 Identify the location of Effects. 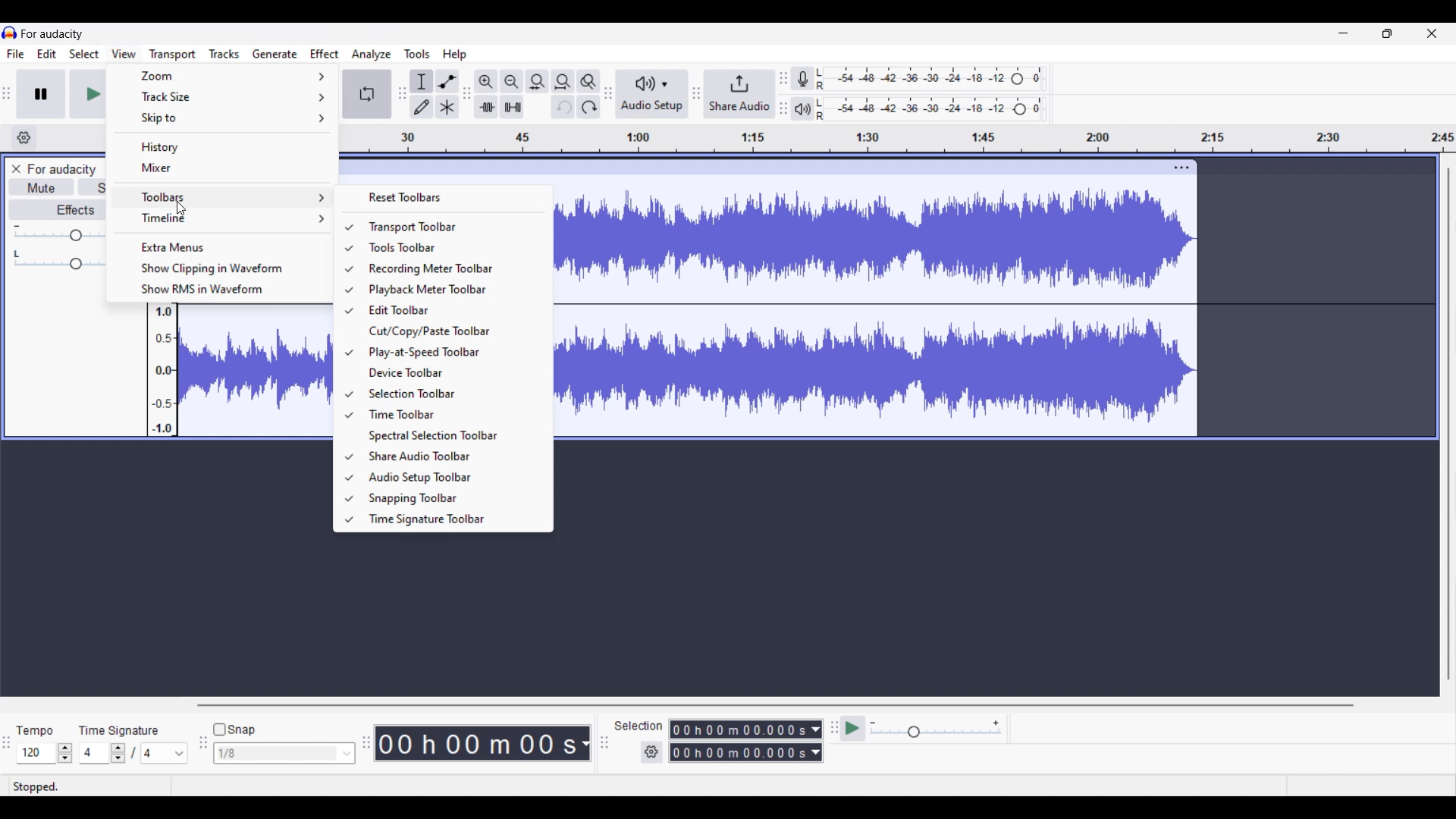
(56, 209).